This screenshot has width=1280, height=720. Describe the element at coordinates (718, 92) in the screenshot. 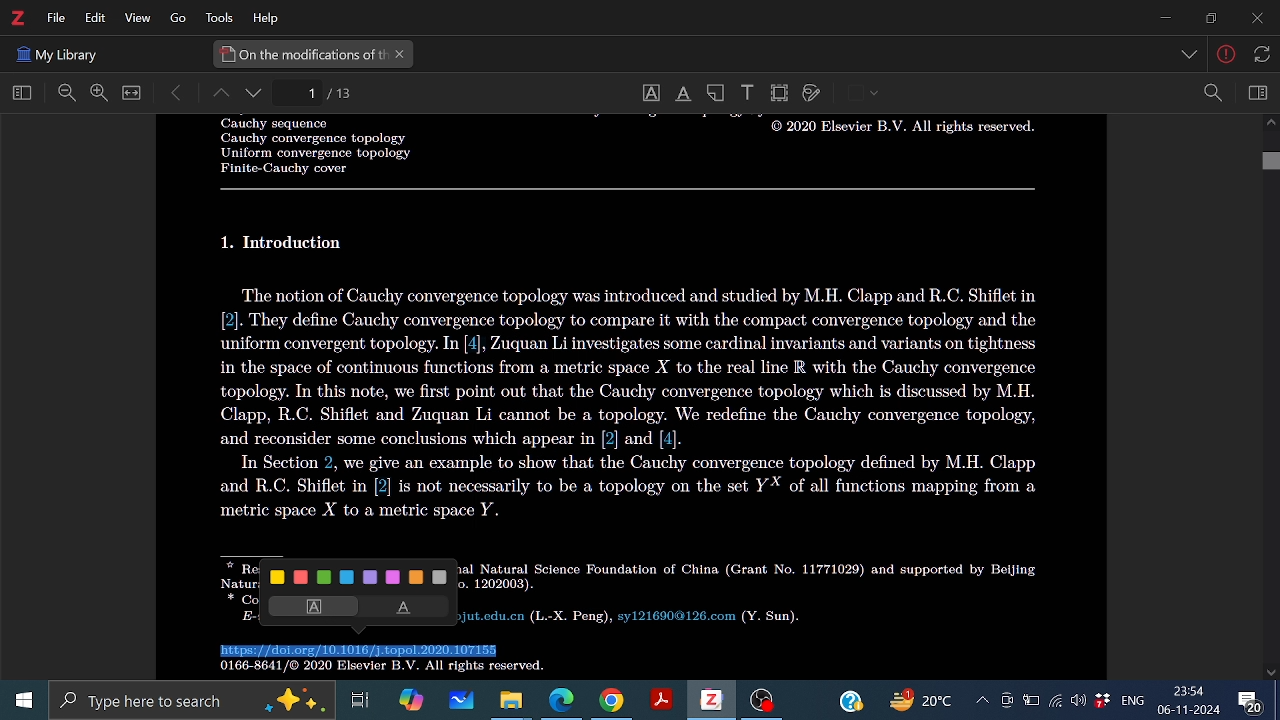

I see `Add note` at that location.